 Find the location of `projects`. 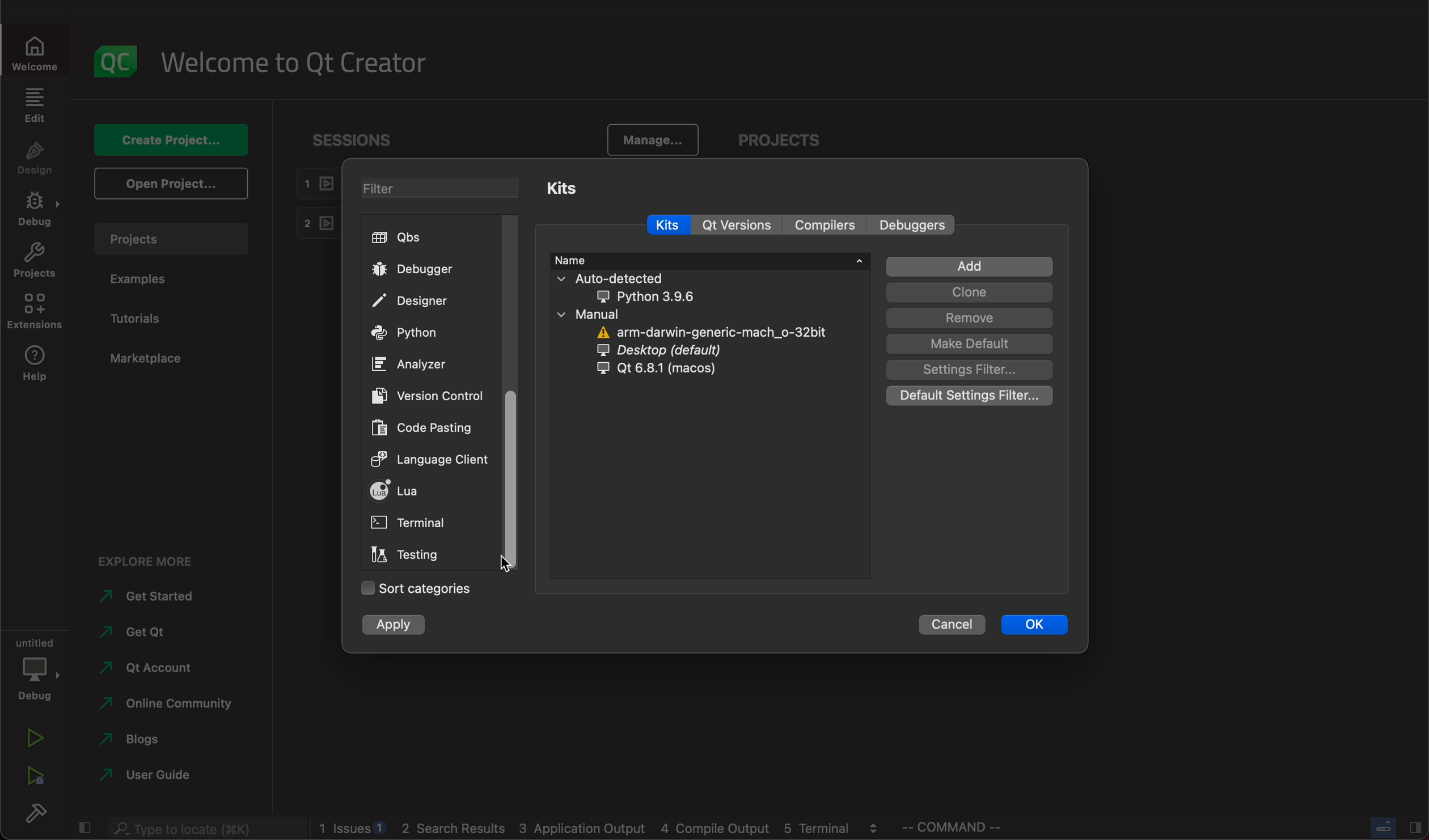

projects is located at coordinates (35, 261).